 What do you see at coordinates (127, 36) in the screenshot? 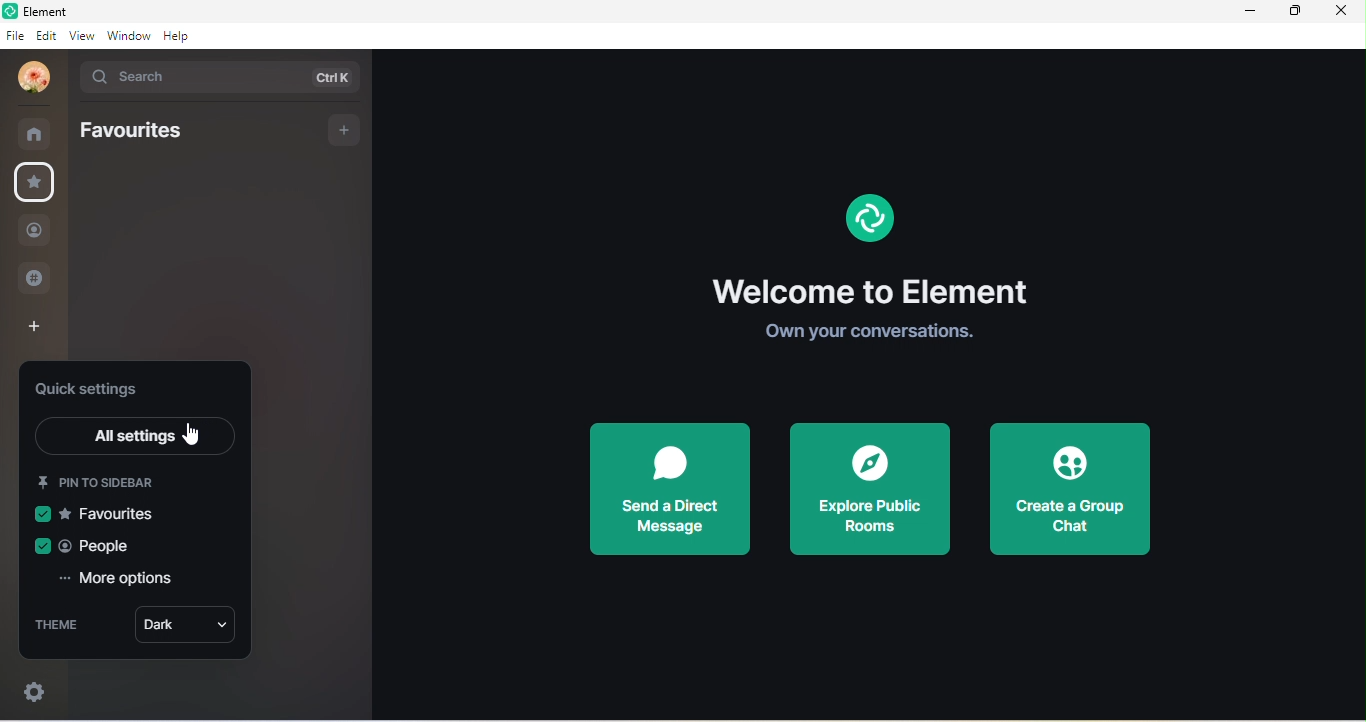
I see `window` at bounding box center [127, 36].